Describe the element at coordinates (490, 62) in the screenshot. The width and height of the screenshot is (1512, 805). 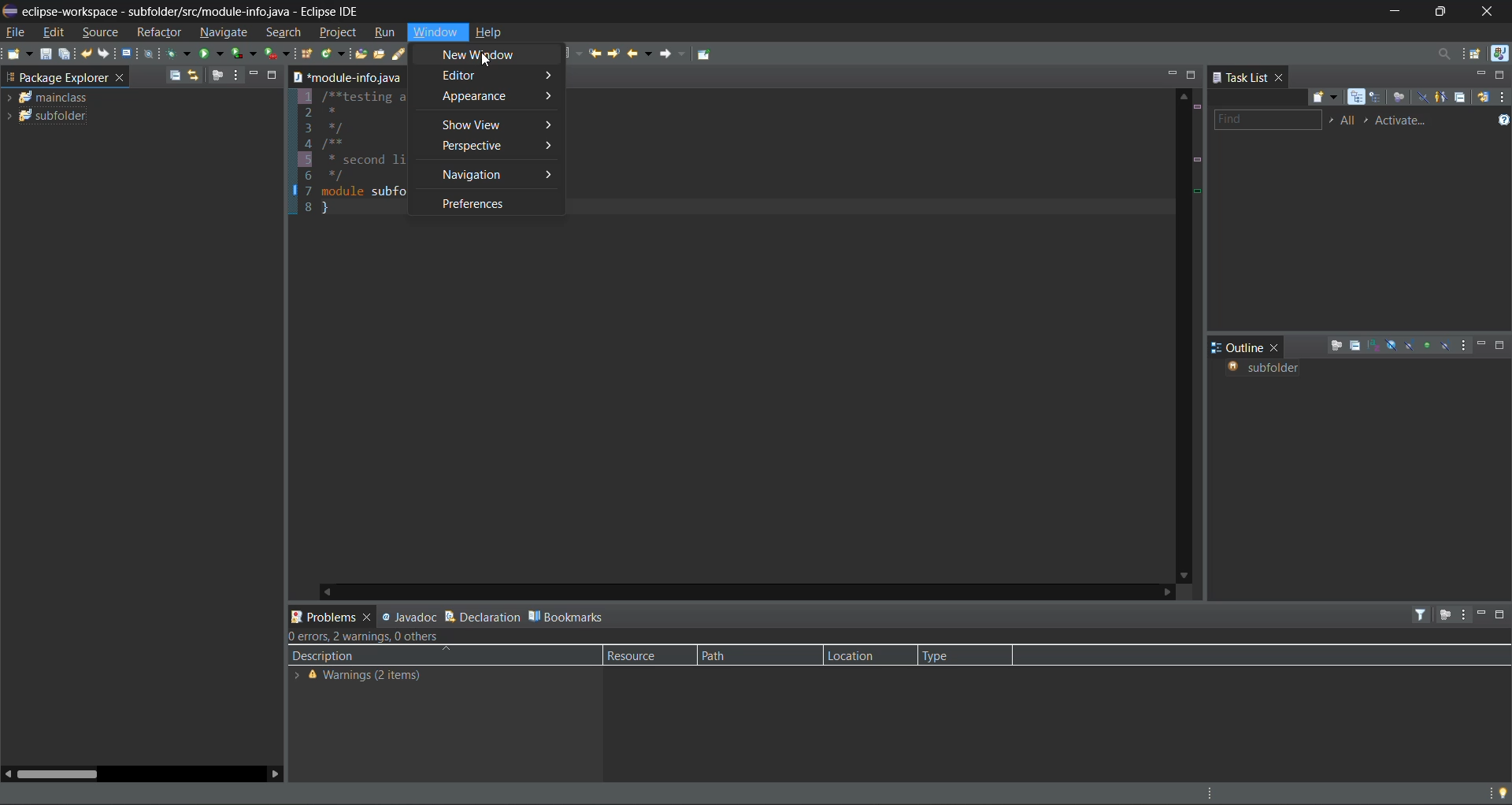
I see `cursor` at that location.